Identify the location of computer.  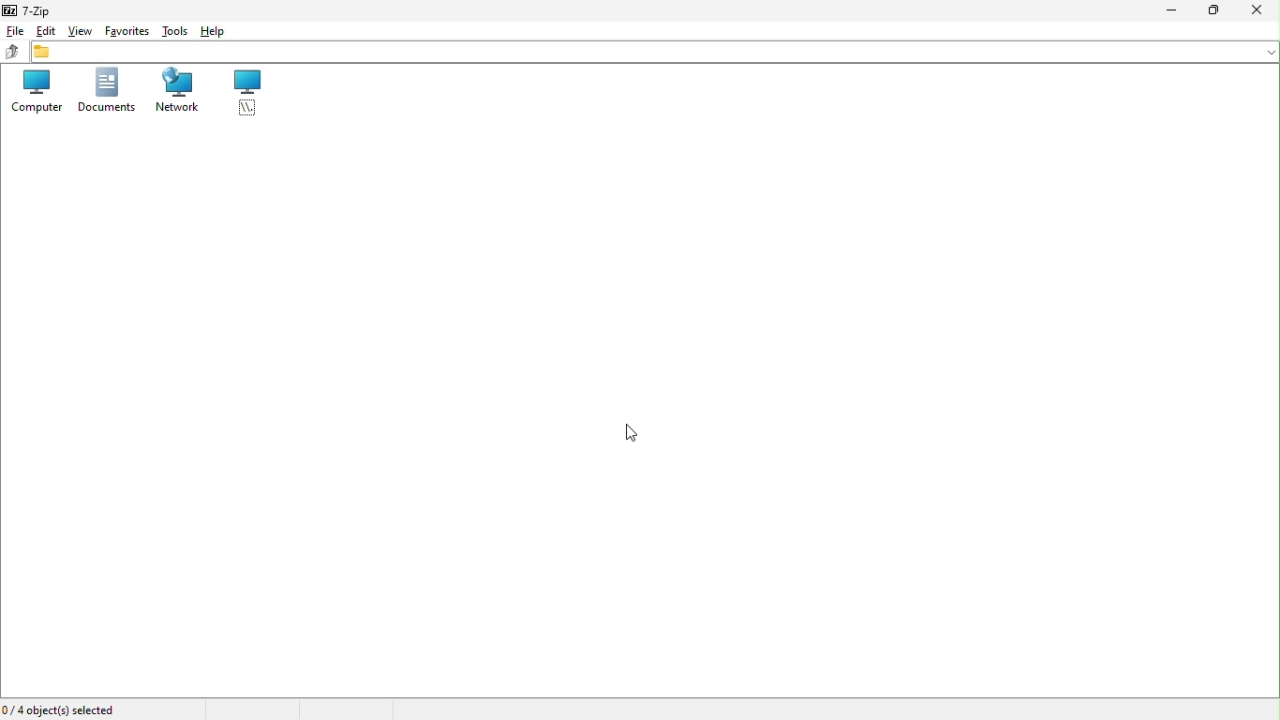
(34, 91).